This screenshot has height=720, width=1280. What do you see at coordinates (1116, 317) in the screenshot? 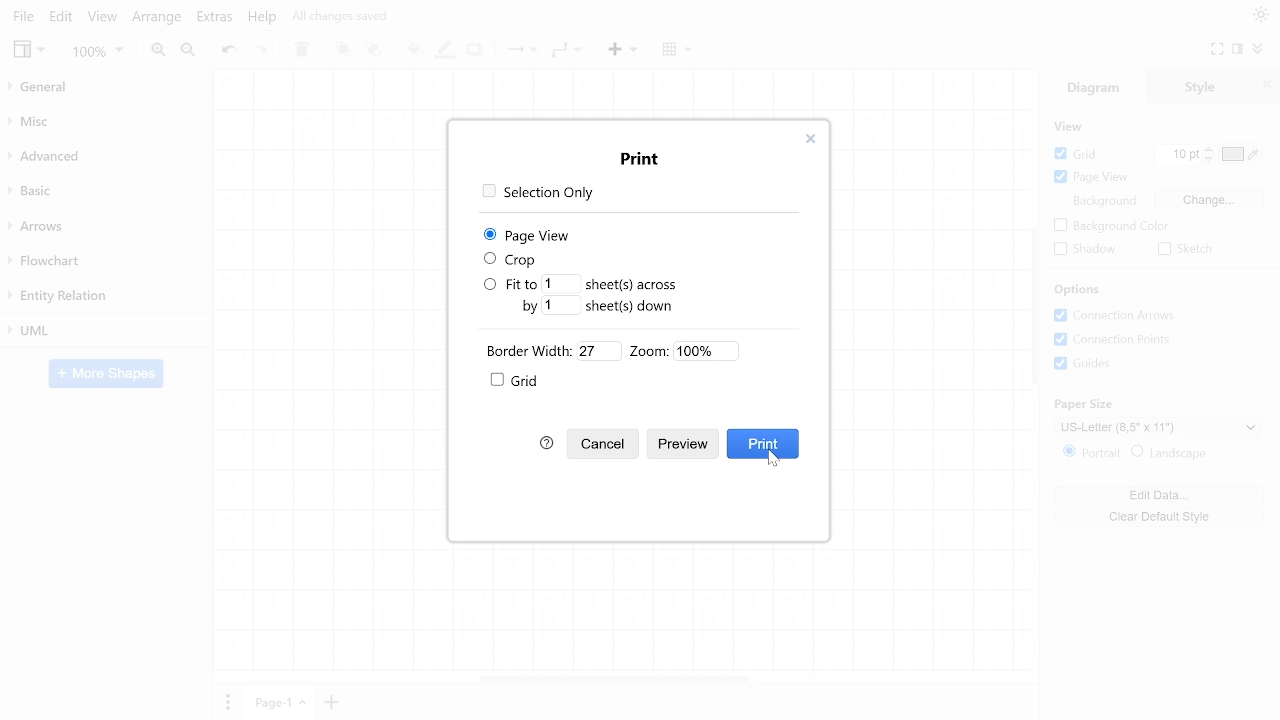
I see `COnnection arrows` at bounding box center [1116, 317].